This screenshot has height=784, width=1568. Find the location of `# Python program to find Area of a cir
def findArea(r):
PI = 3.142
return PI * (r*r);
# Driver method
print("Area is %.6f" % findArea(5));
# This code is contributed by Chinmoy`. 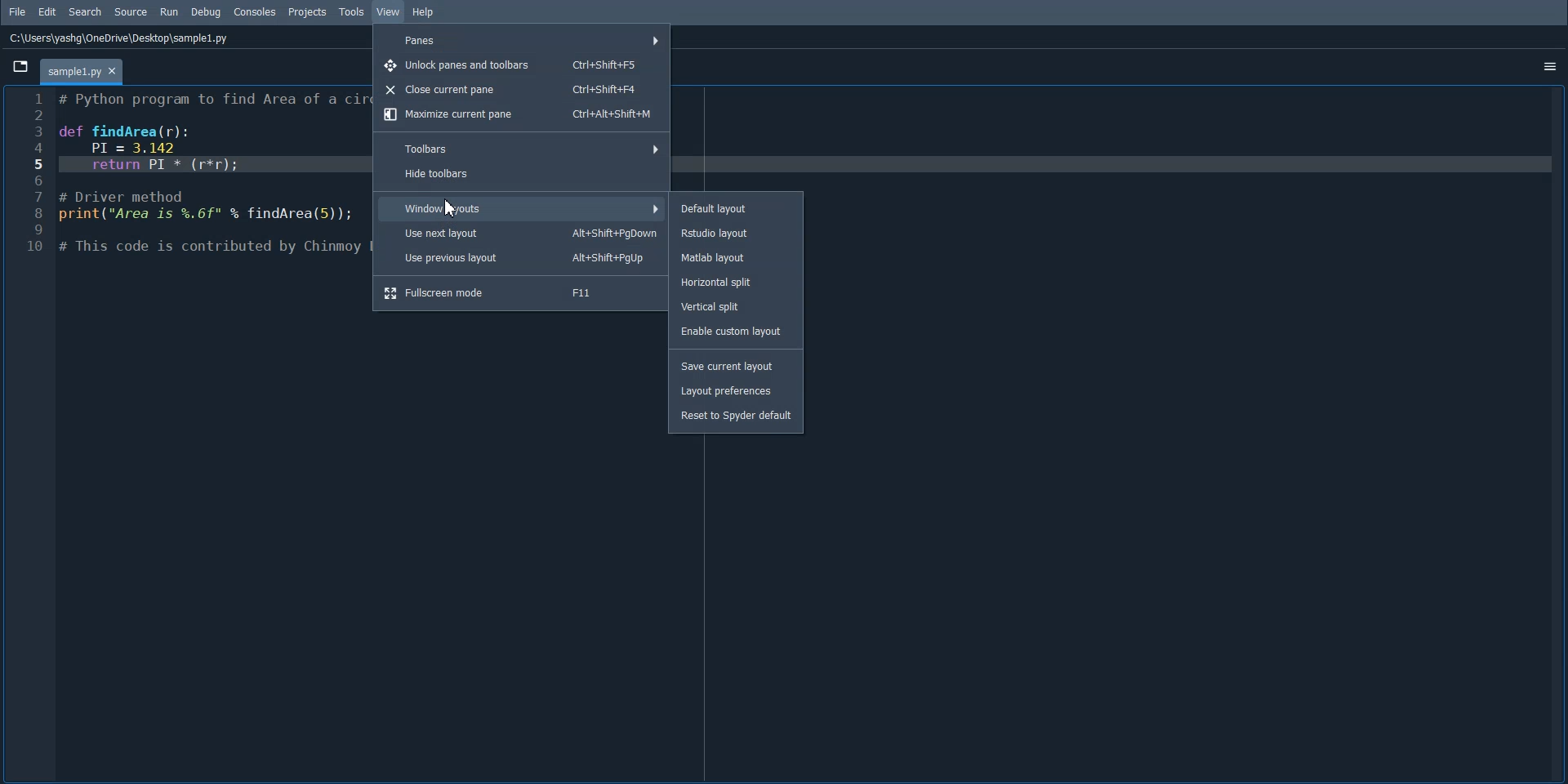

# Python program to find Area of a cir
def findArea(r):
PI = 3.142
return PI * (r*r);
# Driver method
print("Area is %.6f" % findArea(5));
# This code is contributed by Chinmoy is located at coordinates (216, 176).